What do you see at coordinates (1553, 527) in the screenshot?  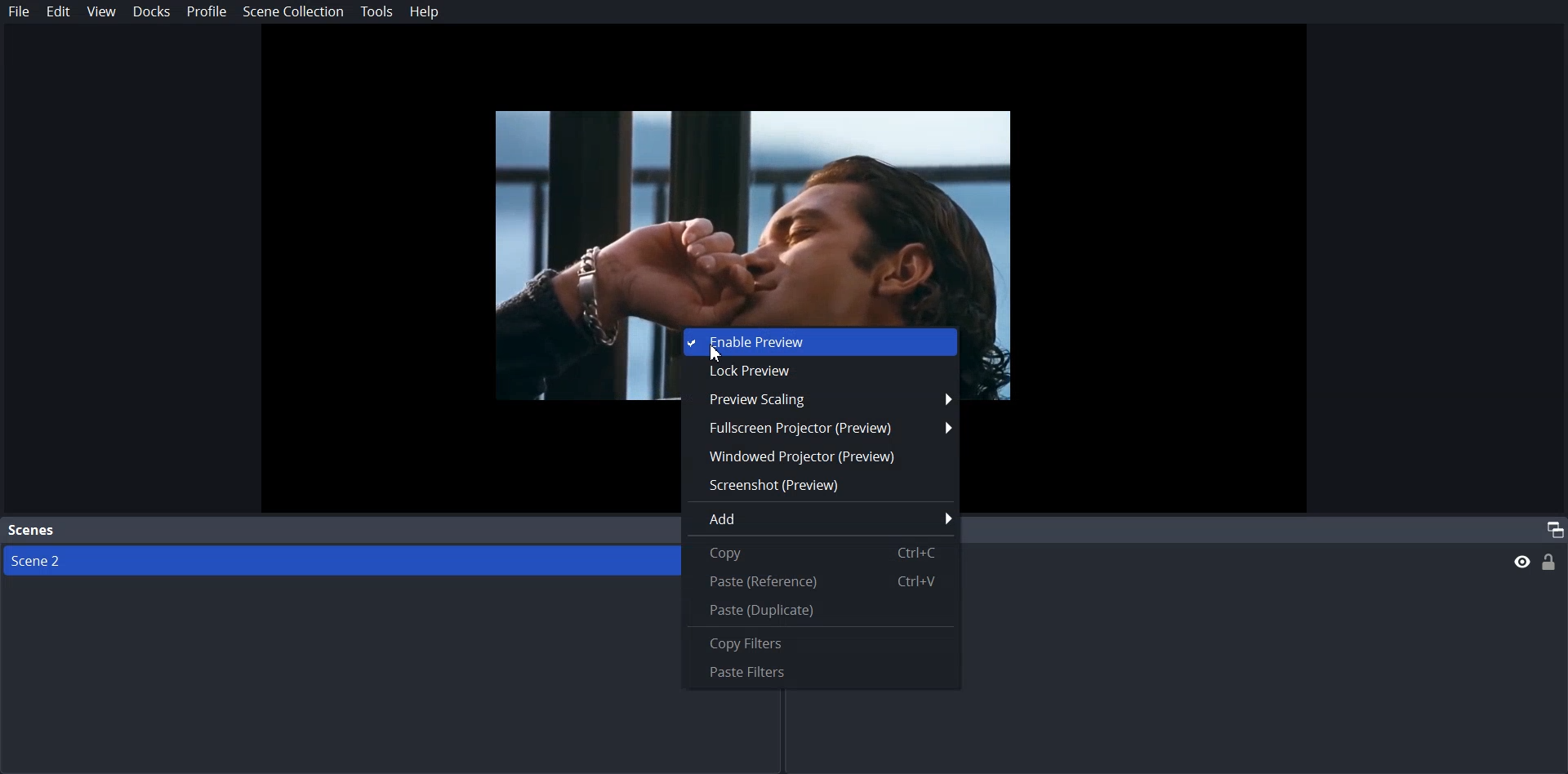 I see `Maximize` at bounding box center [1553, 527].